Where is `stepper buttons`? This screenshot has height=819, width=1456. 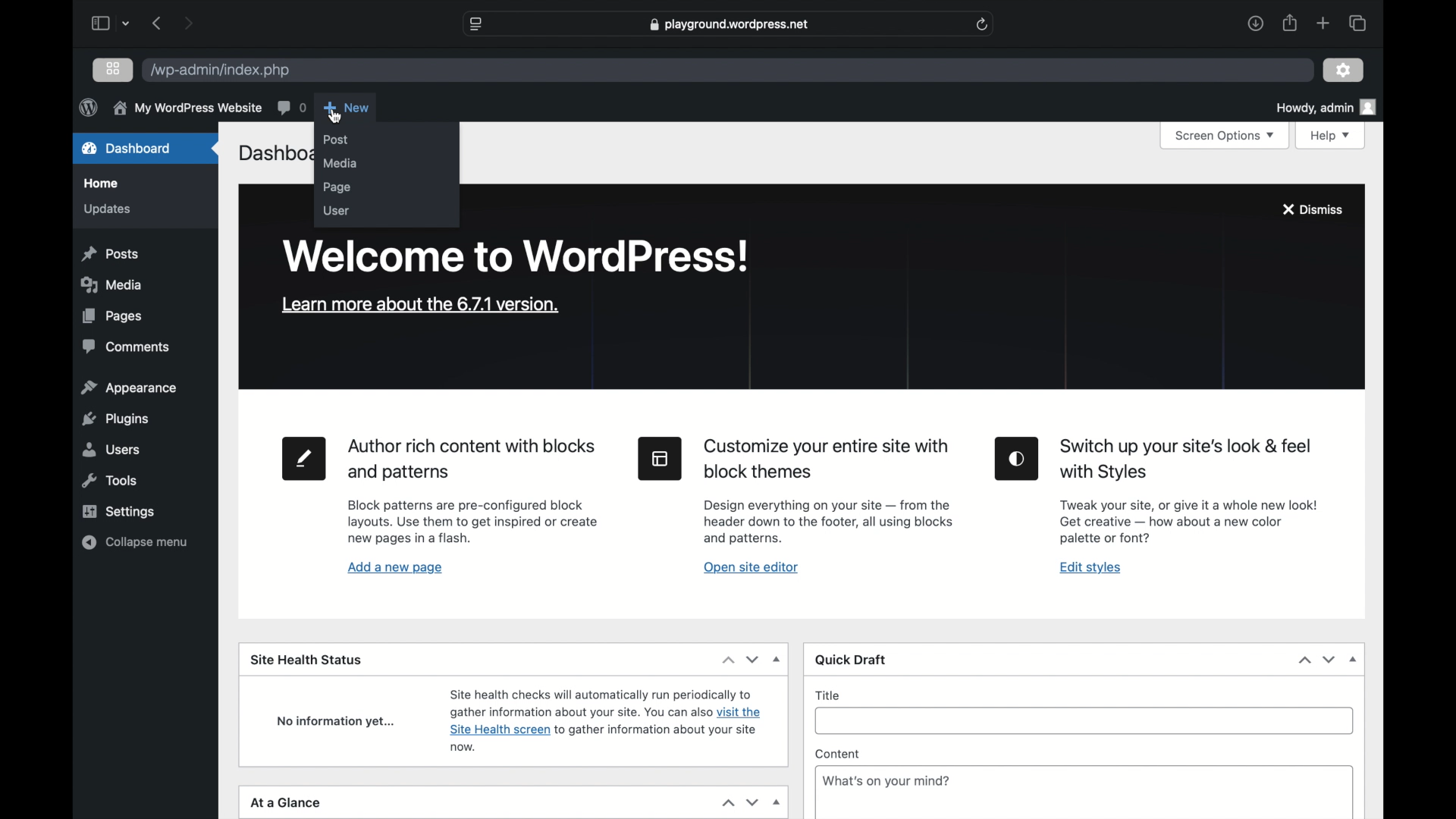 stepper buttons is located at coordinates (739, 660).